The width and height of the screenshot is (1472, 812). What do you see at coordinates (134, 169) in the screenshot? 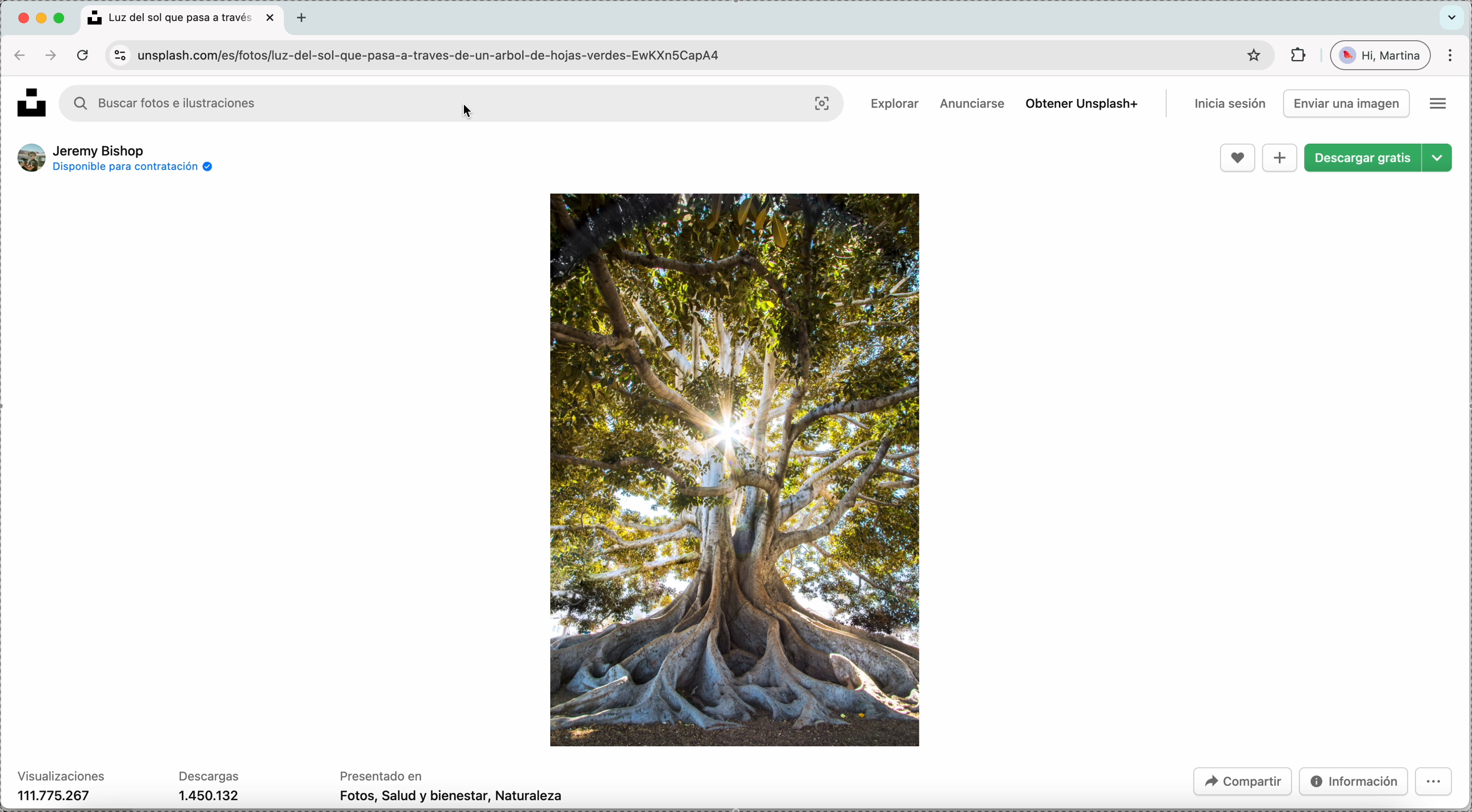
I see `disponible para contraction` at bounding box center [134, 169].